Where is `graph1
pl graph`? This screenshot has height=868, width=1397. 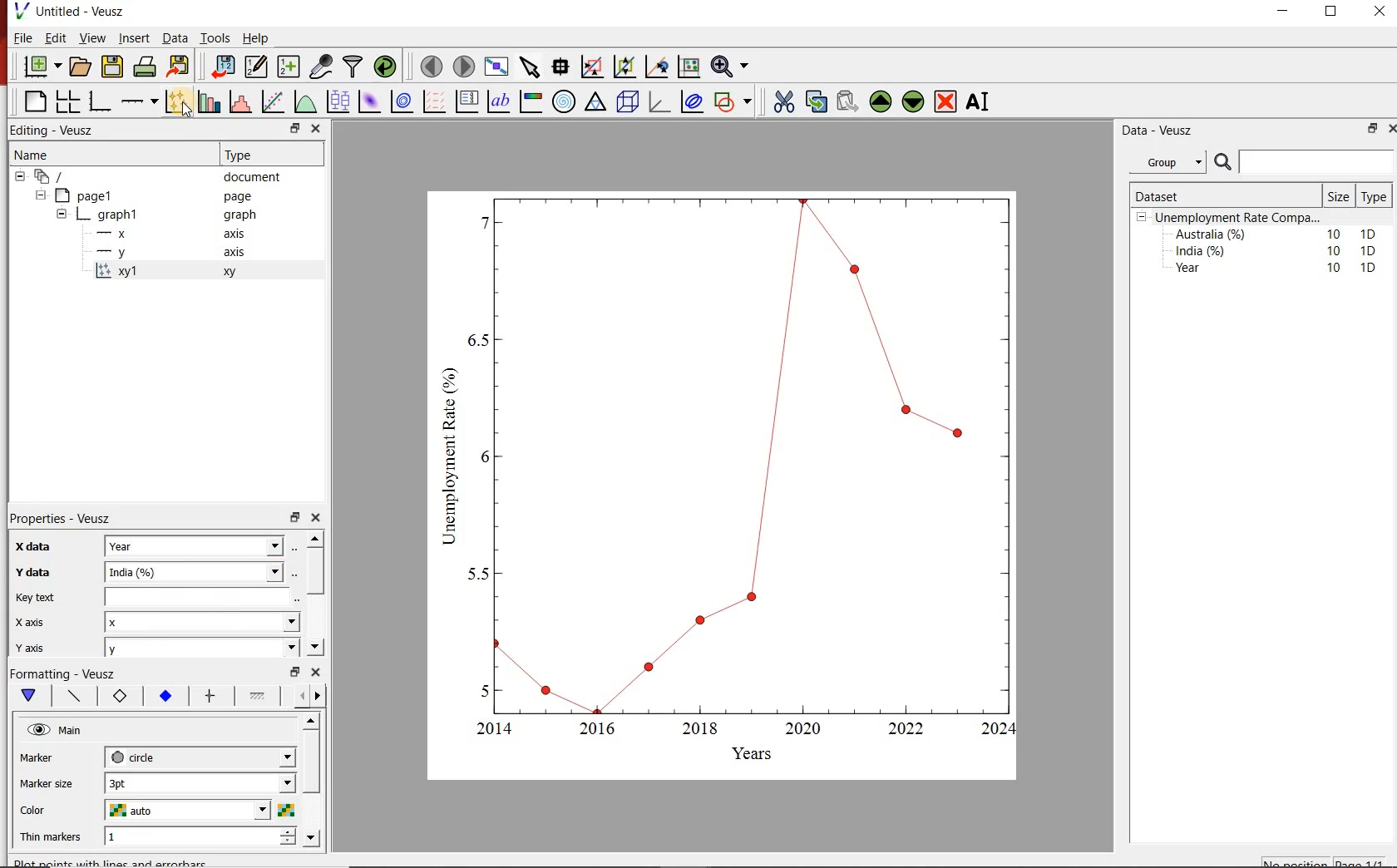 graph1
pl graph is located at coordinates (172, 215).